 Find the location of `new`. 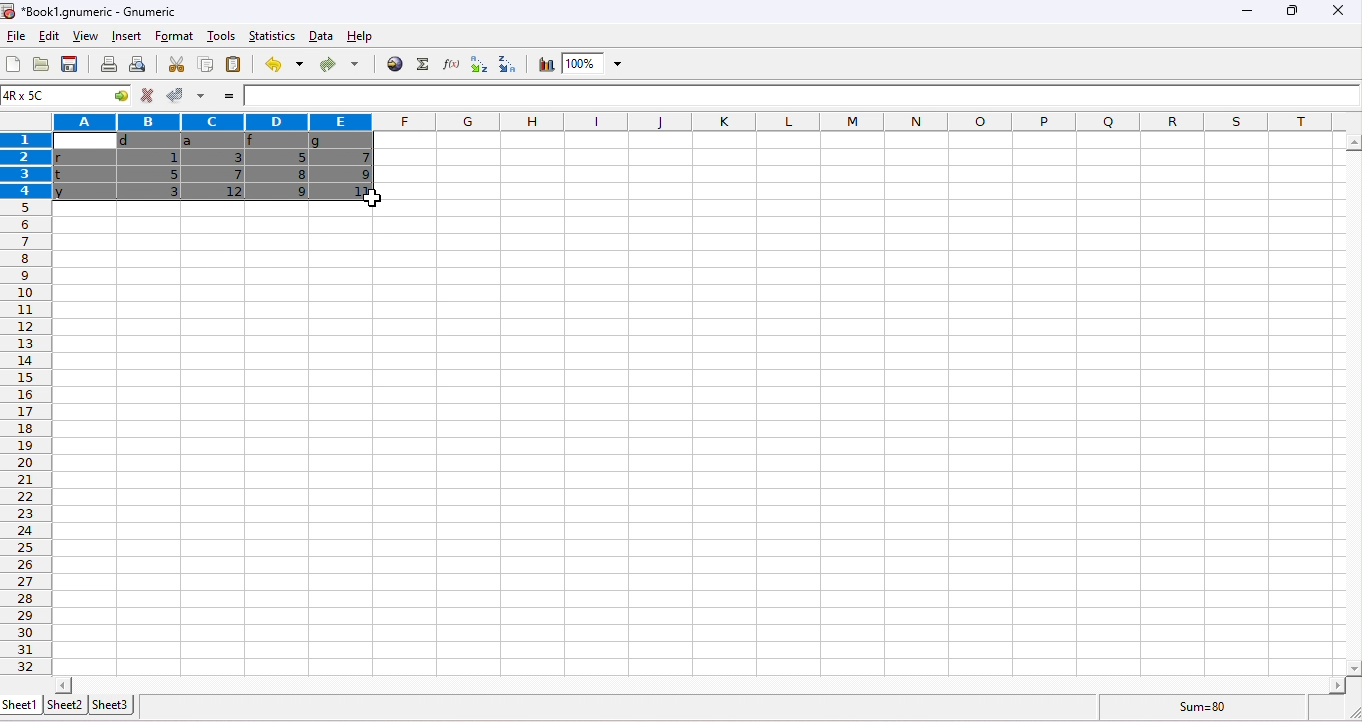

new is located at coordinates (12, 64).